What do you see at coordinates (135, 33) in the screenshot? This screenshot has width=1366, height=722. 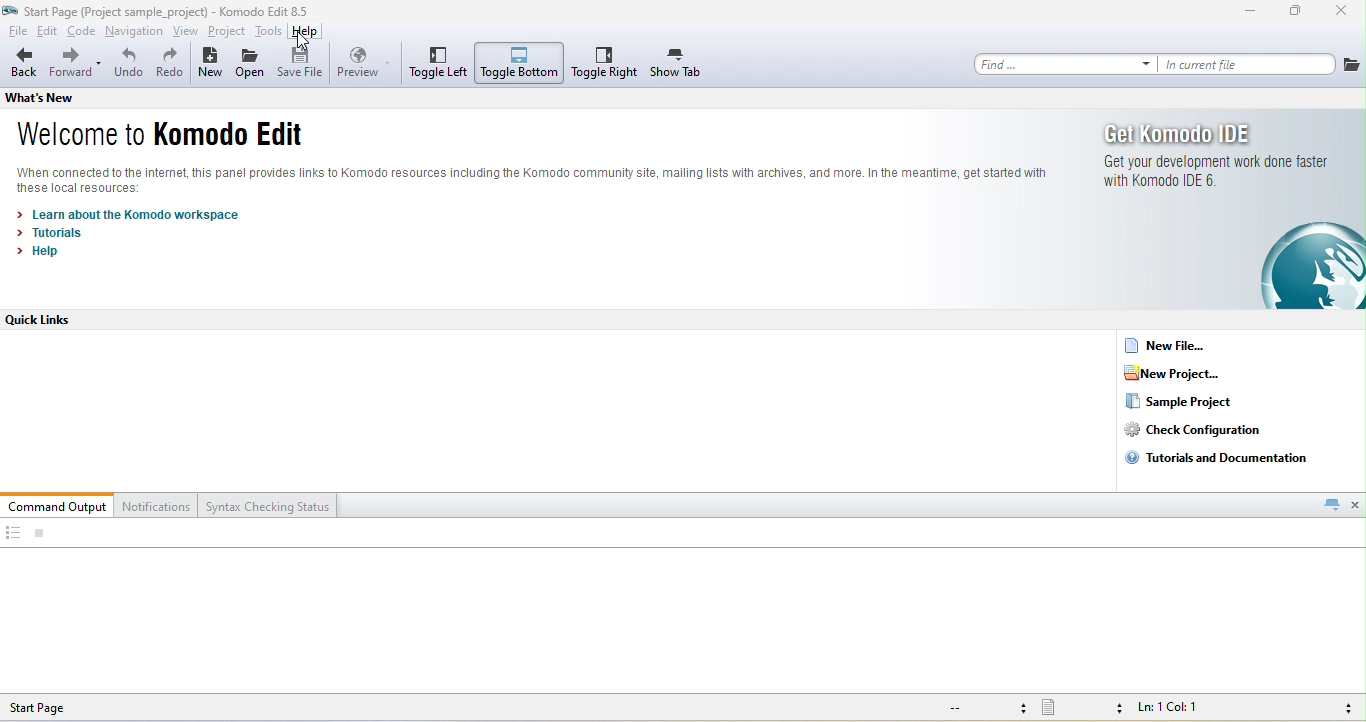 I see `navigation` at bounding box center [135, 33].